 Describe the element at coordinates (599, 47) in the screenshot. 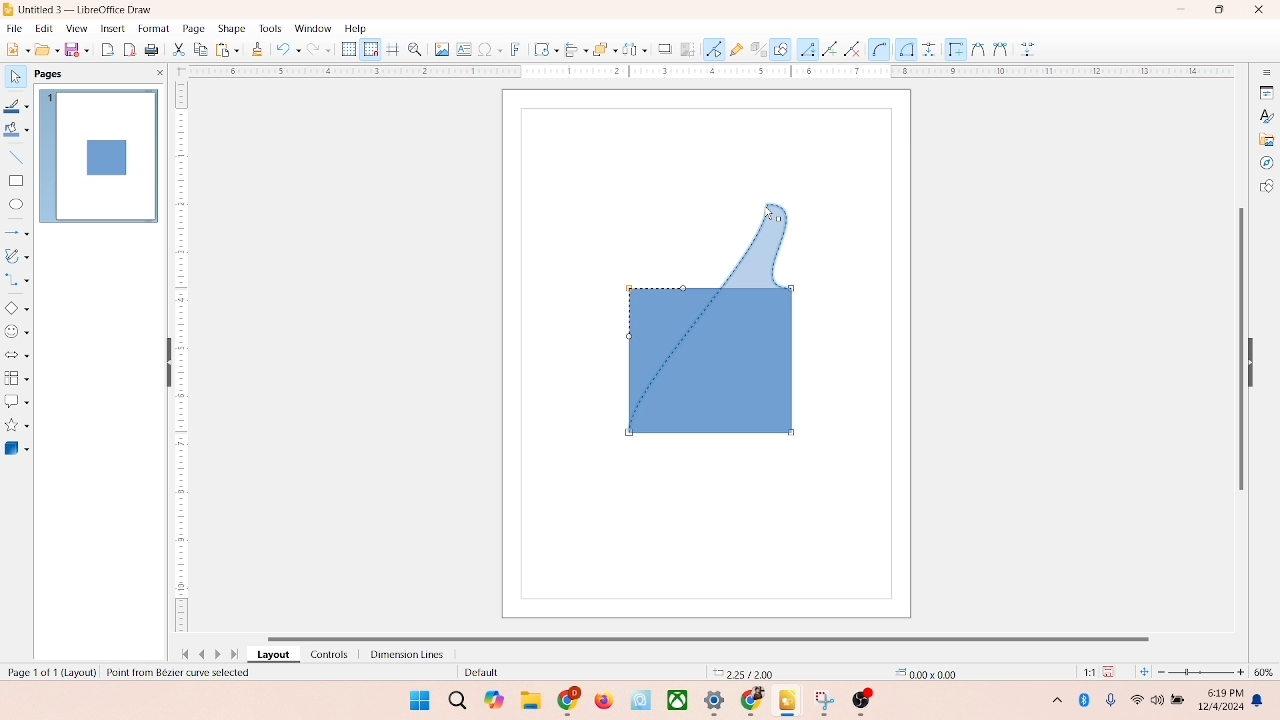

I see `arrange` at that location.